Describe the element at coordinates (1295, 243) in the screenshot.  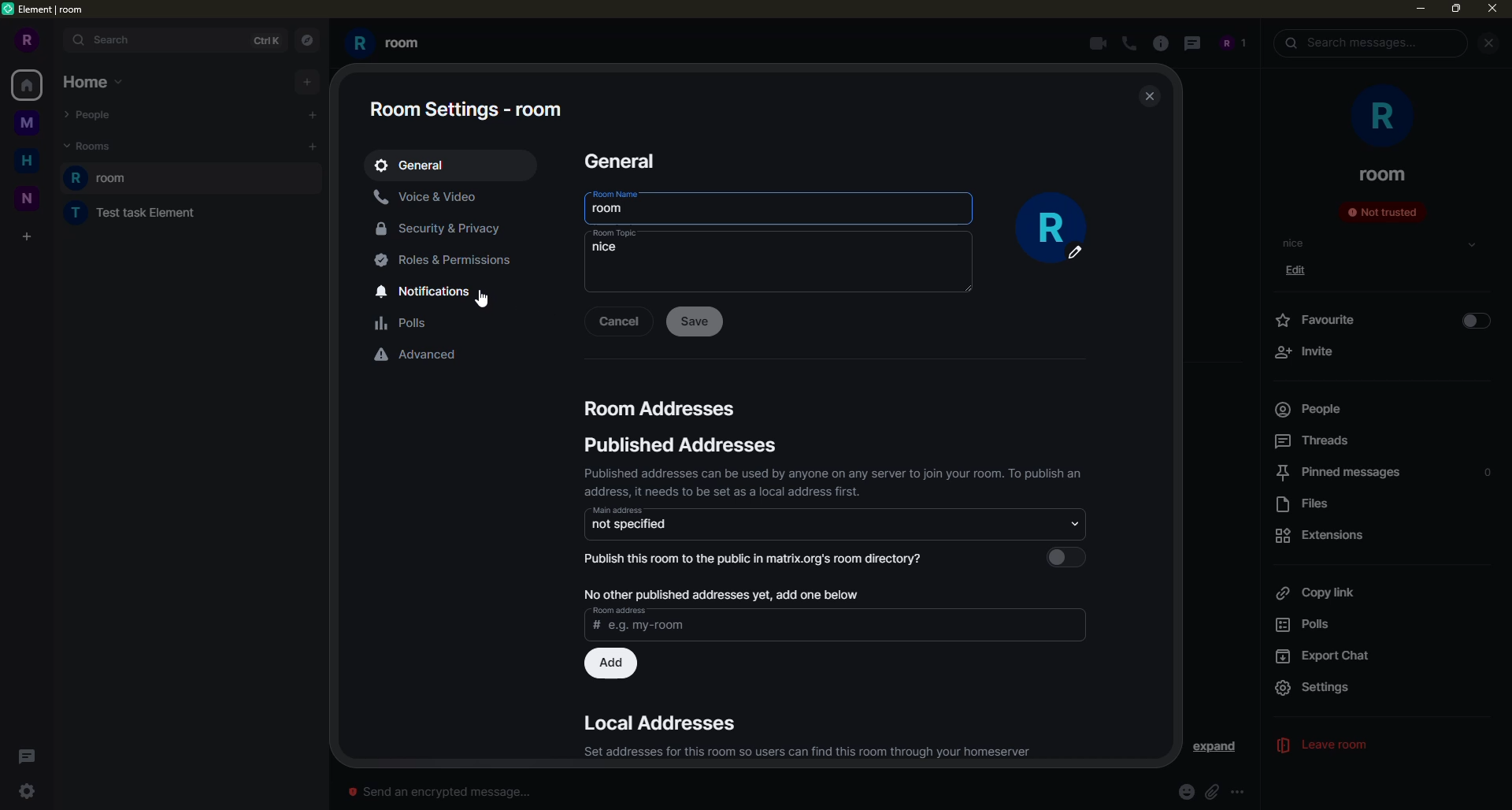
I see `topic` at that location.